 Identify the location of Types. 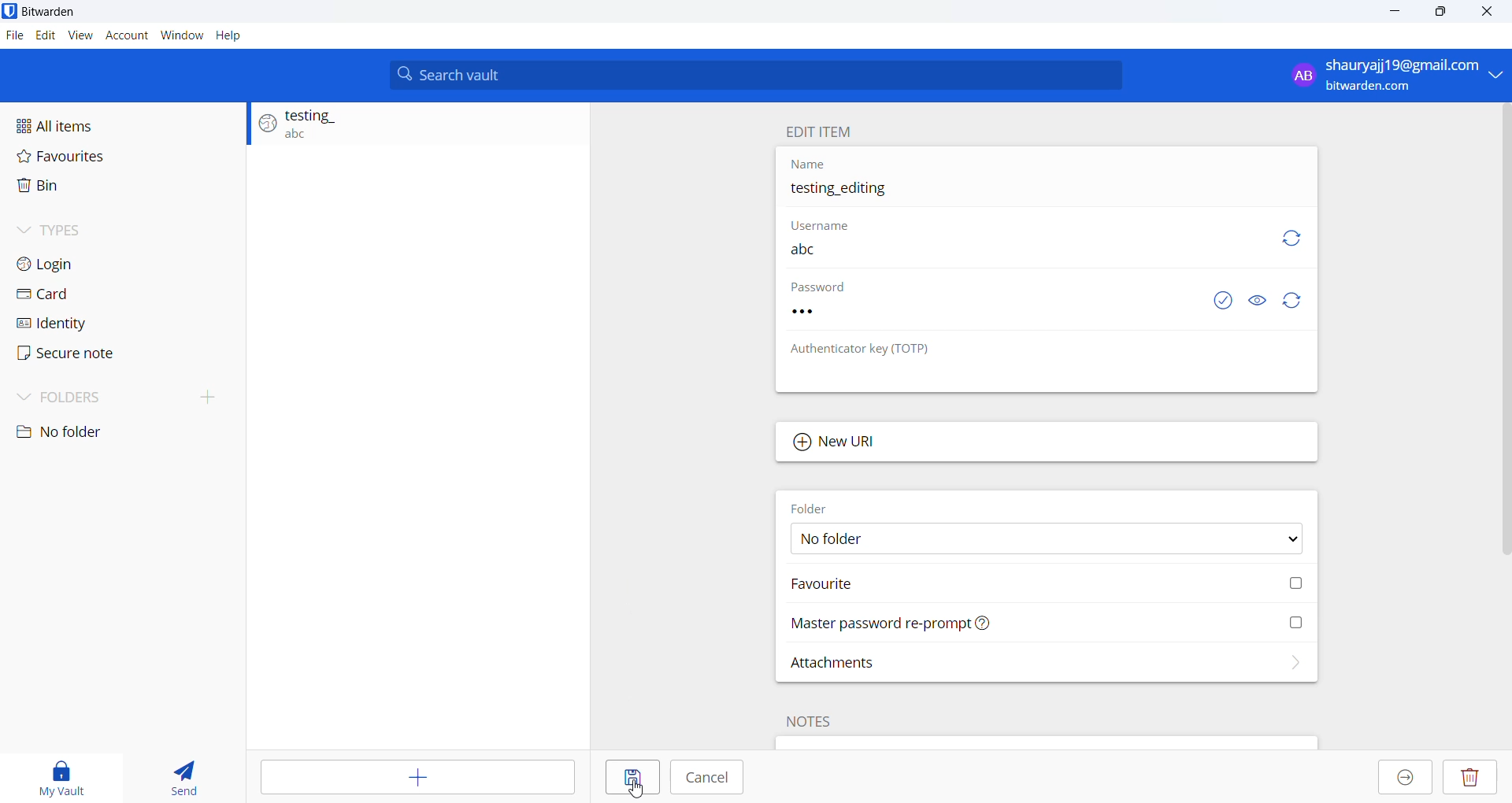
(116, 227).